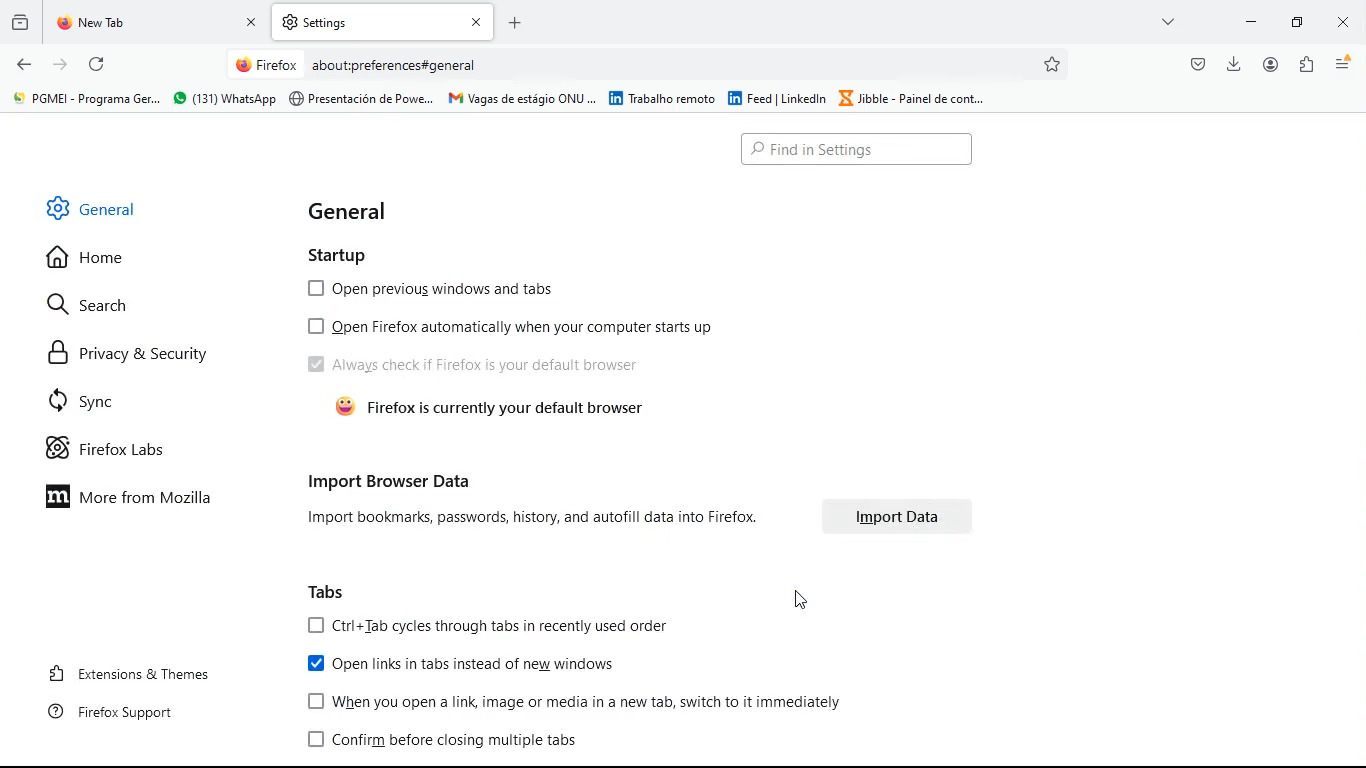 This screenshot has width=1366, height=768. I want to click on tab, so click(383, 22).